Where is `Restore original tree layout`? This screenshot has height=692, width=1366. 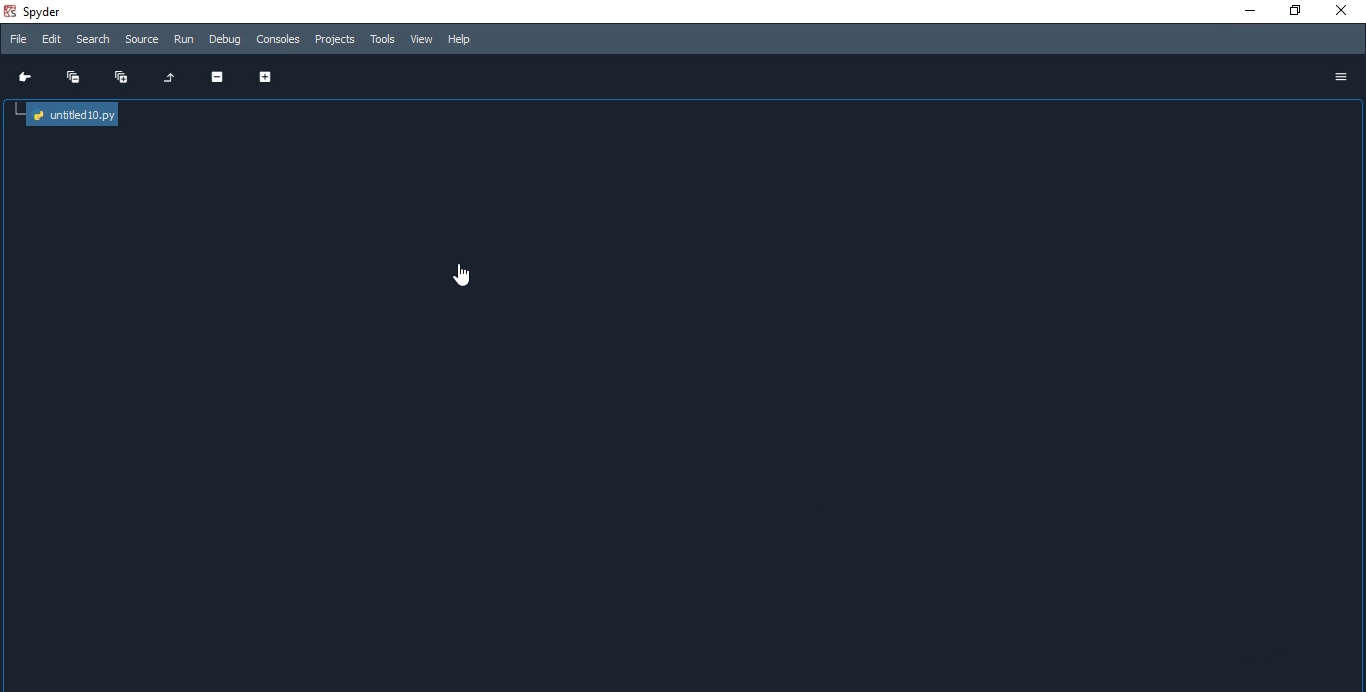
Restore original tree layout is located at coordinates (168, 80).